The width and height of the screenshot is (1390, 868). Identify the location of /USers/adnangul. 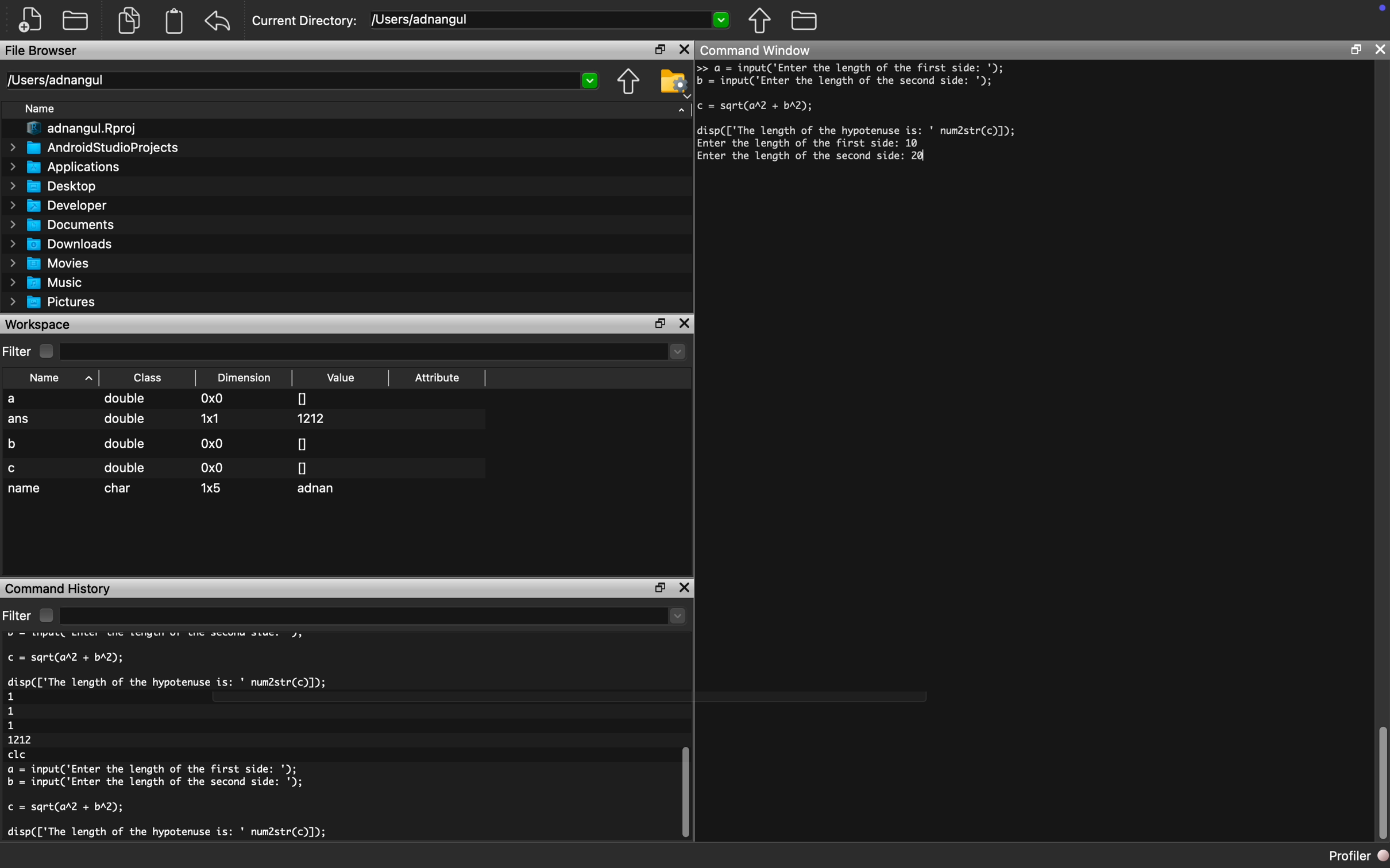
(551, 20).